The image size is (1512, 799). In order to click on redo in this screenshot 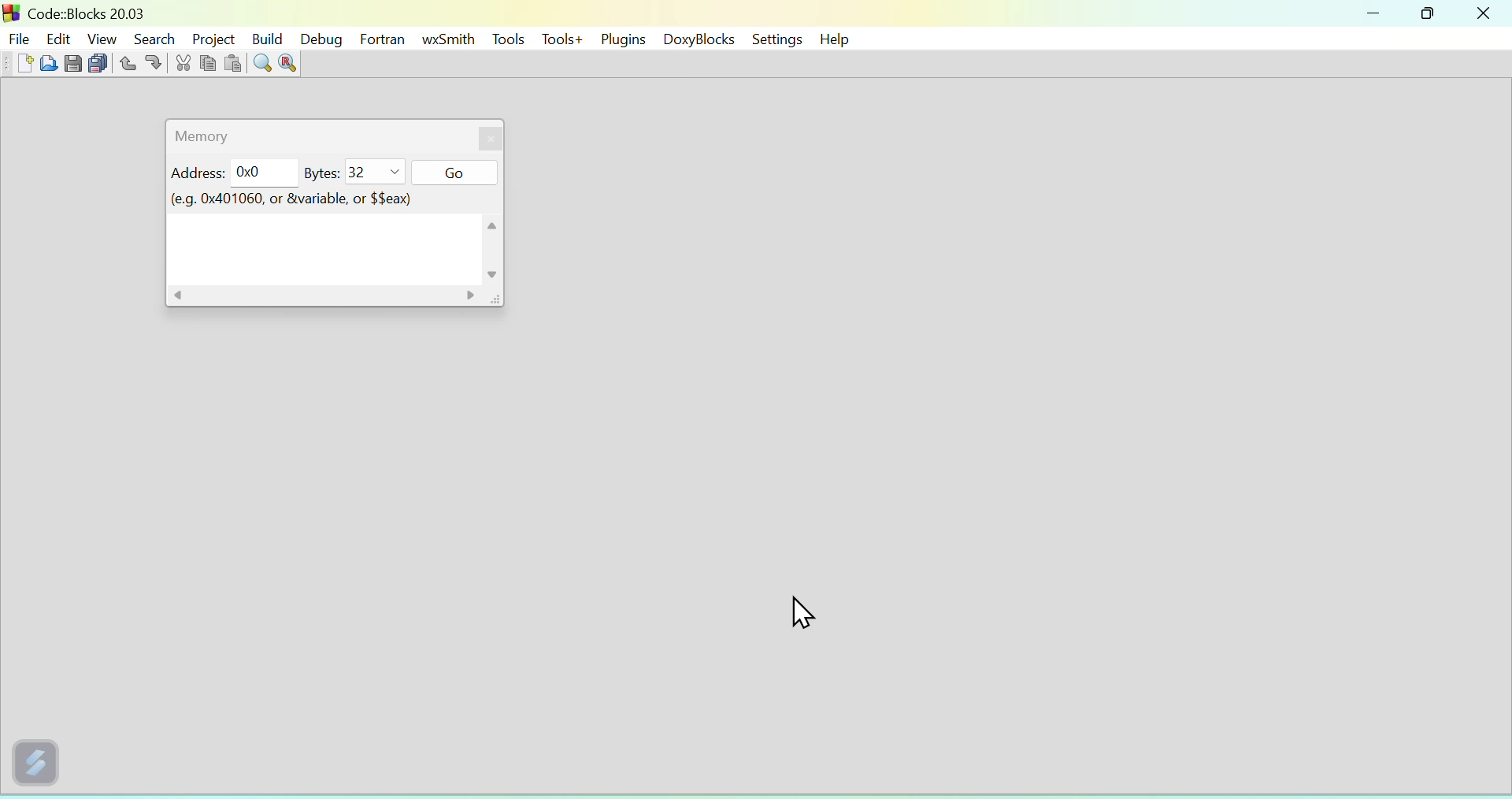, I will do `click(154, 64)`.